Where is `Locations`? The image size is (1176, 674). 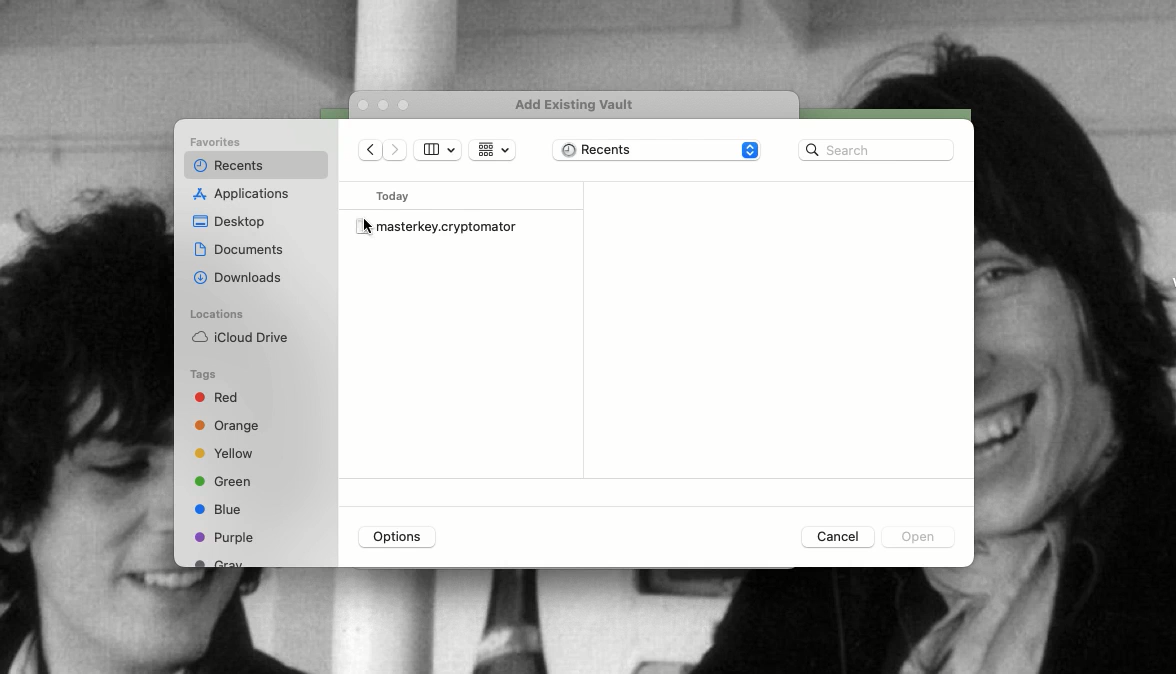 Locations is located at coordinates (216, 314).